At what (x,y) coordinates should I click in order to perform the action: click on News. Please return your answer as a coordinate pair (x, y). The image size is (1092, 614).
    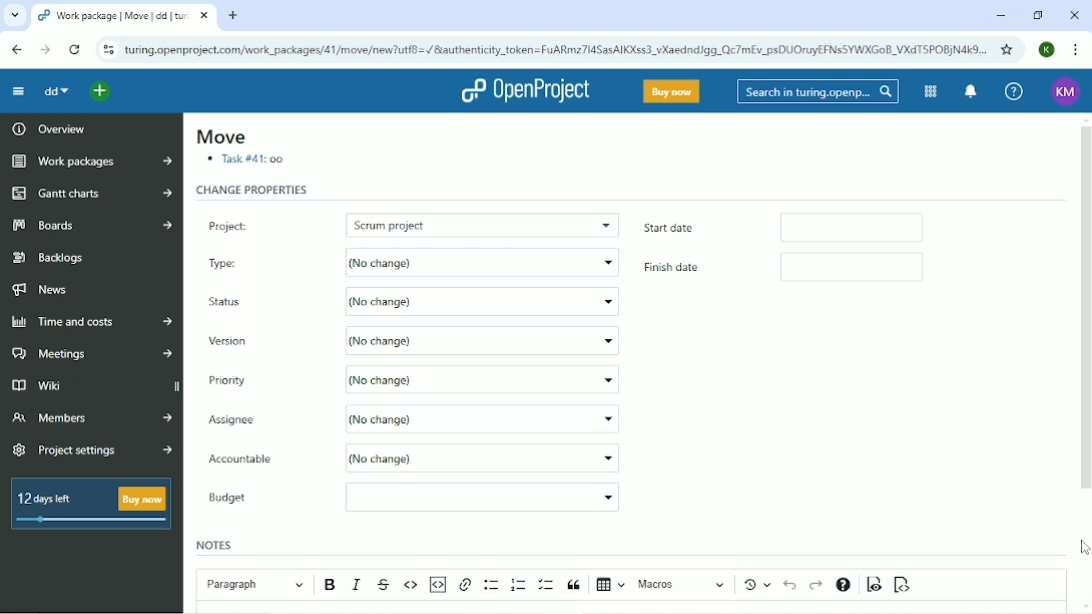
    Looking at the image, I should click on (49, 289).